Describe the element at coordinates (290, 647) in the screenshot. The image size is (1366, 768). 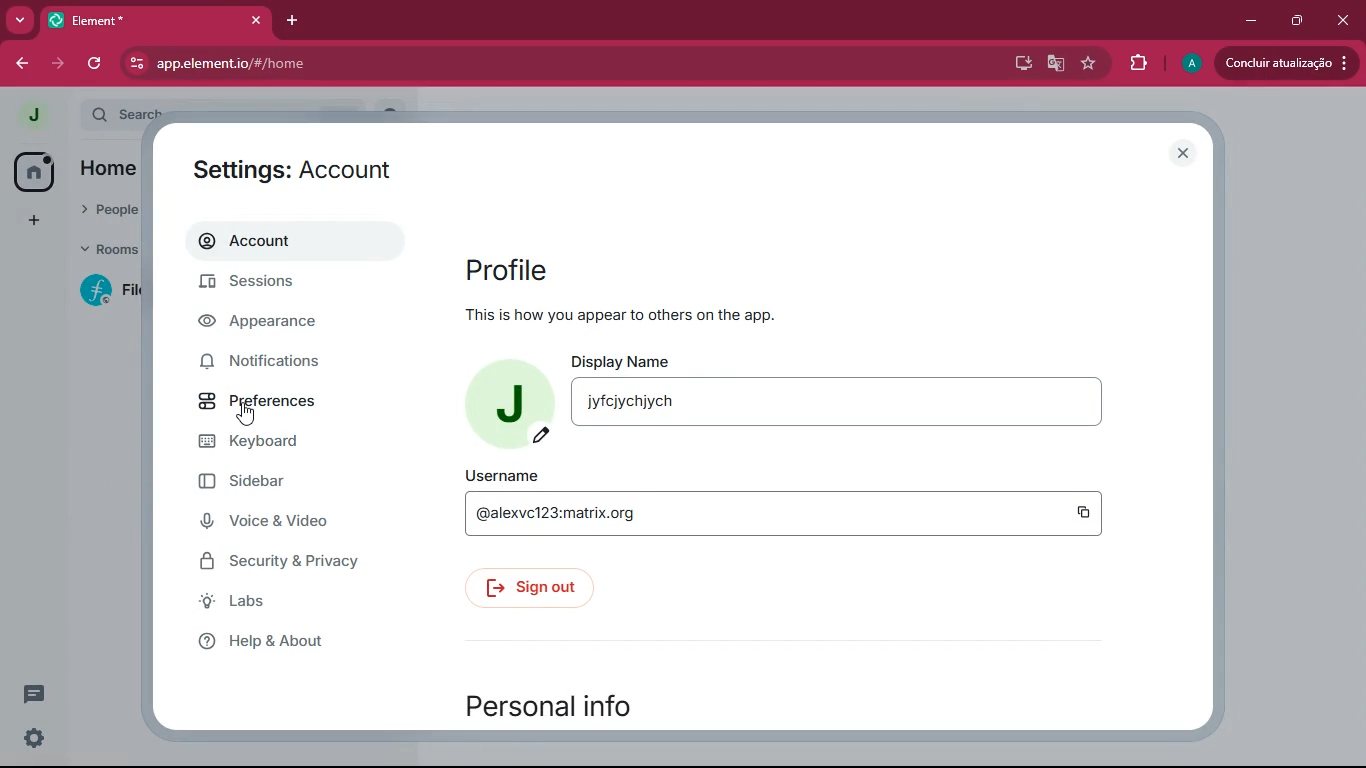
I see `help` at that location.